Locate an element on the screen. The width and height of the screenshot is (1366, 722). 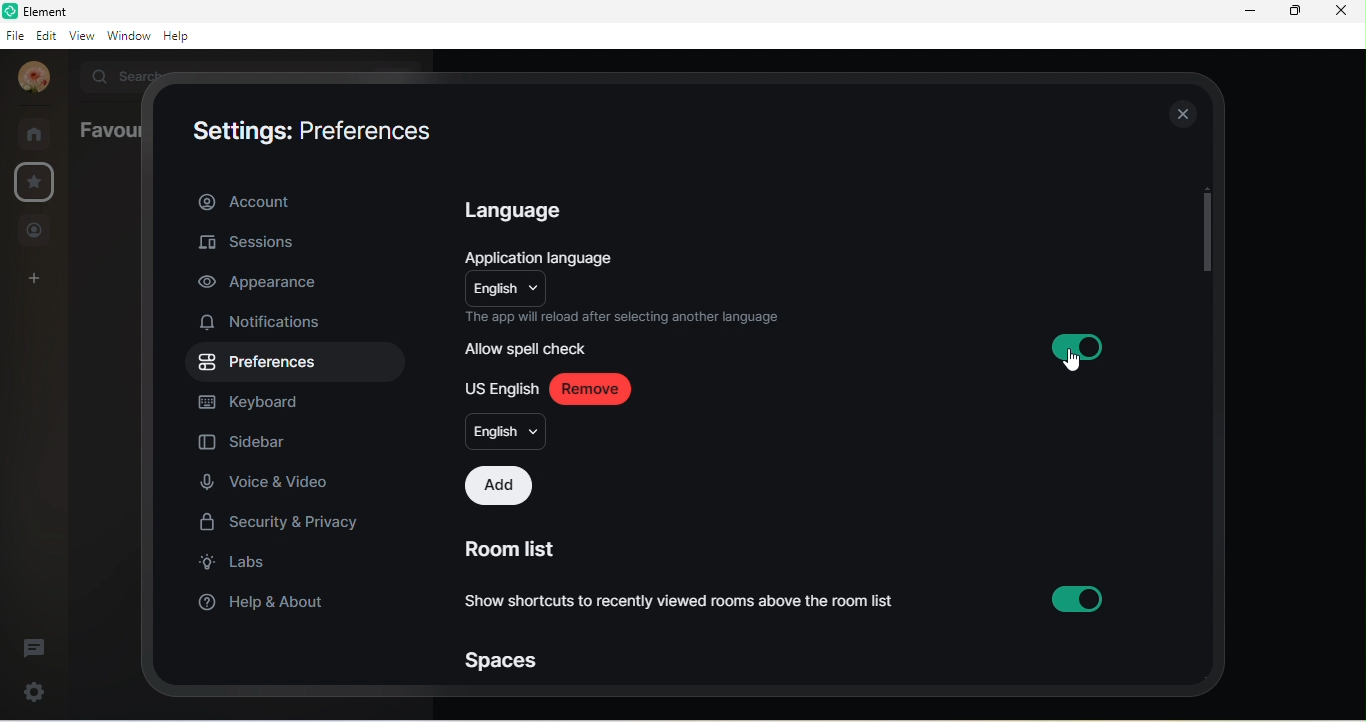
application language is located at coordinates (554, 257).